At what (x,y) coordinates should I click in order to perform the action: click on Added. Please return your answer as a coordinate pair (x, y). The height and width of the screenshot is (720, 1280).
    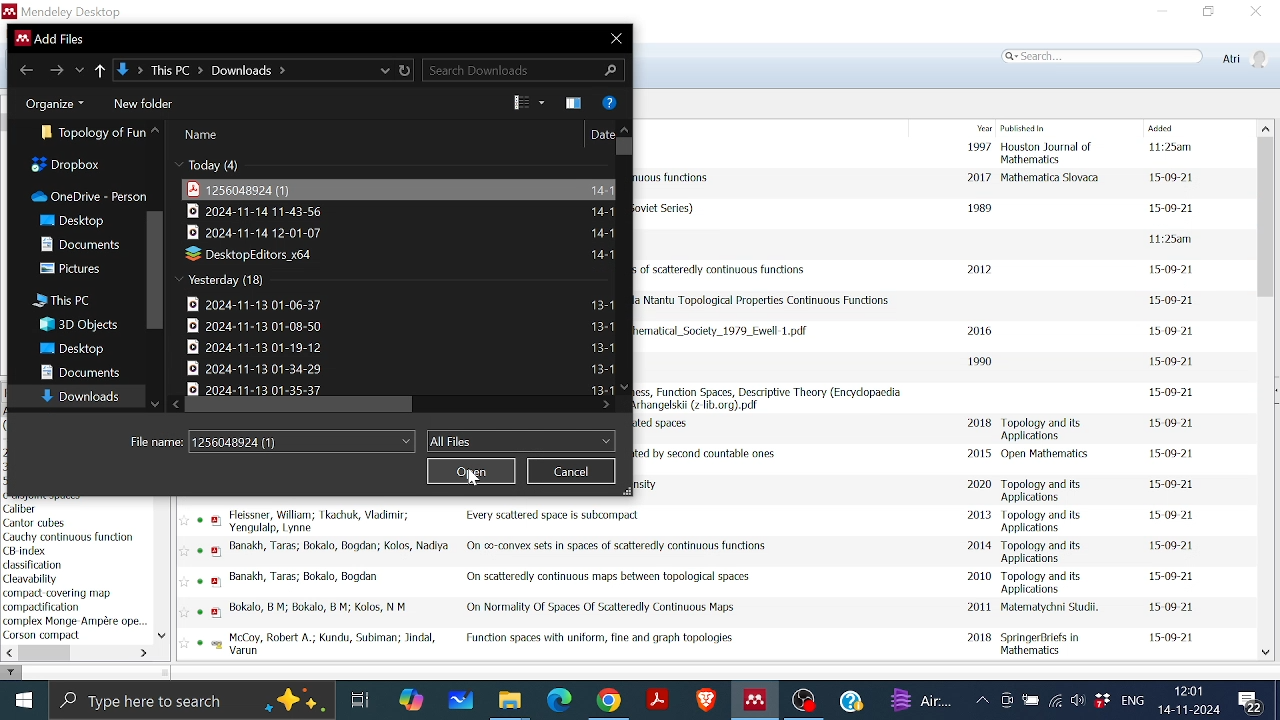
    Looking at the image, I should click on (1164, 127).